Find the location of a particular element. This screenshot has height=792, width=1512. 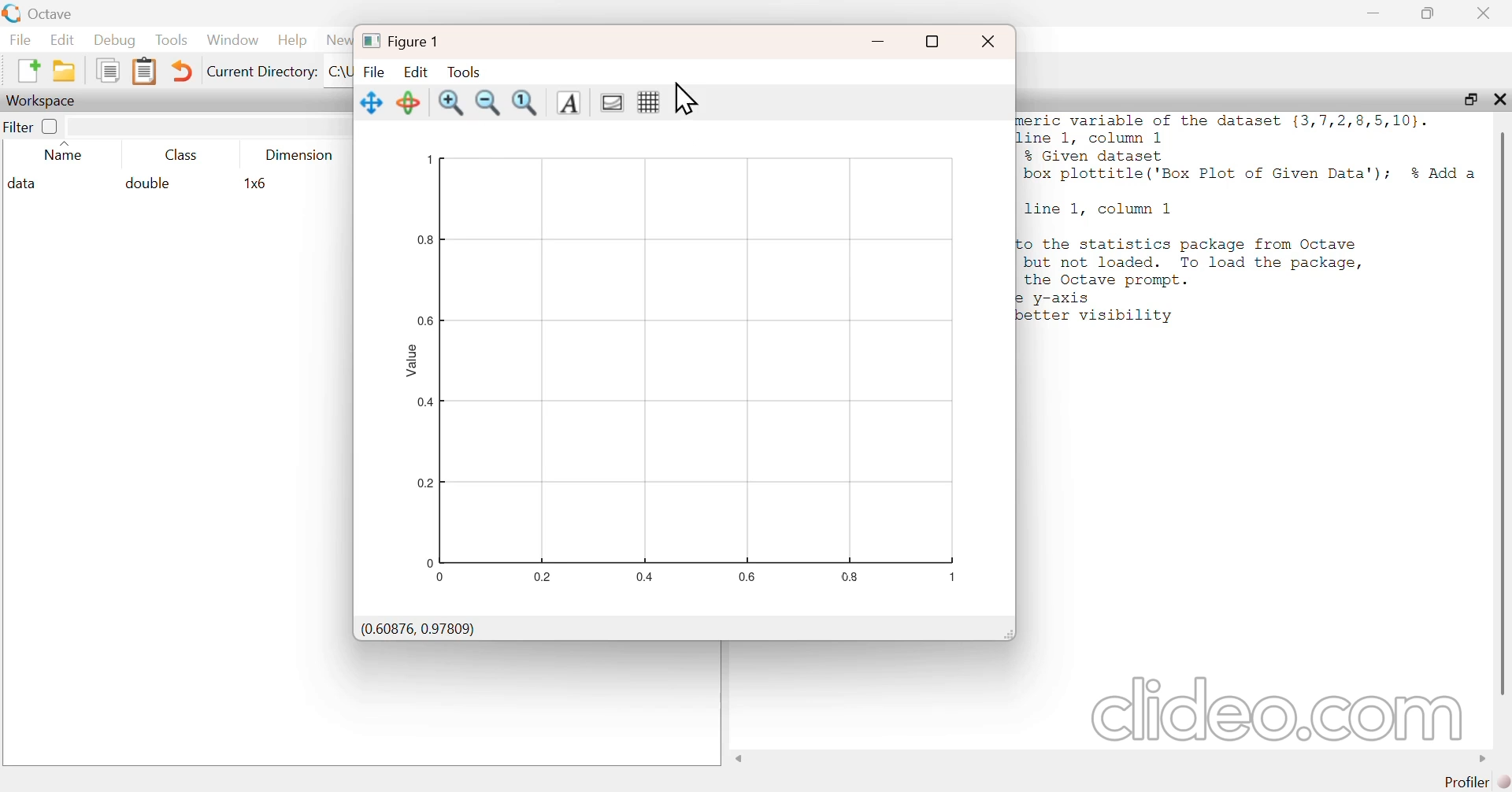

close is located at coordinates (988, 39).